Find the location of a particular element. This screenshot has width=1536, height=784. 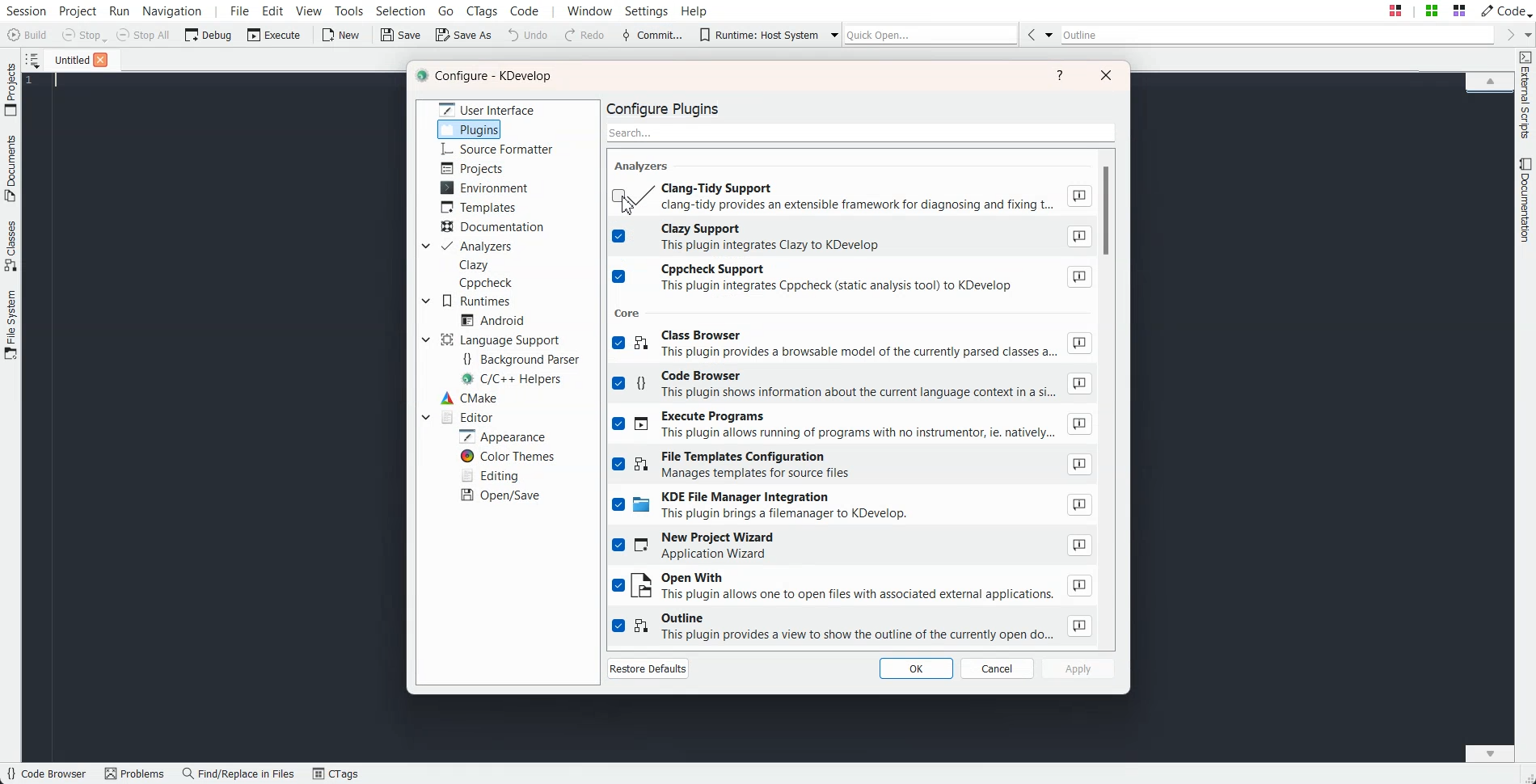

Drop down box is located at coordinates (830, 34).